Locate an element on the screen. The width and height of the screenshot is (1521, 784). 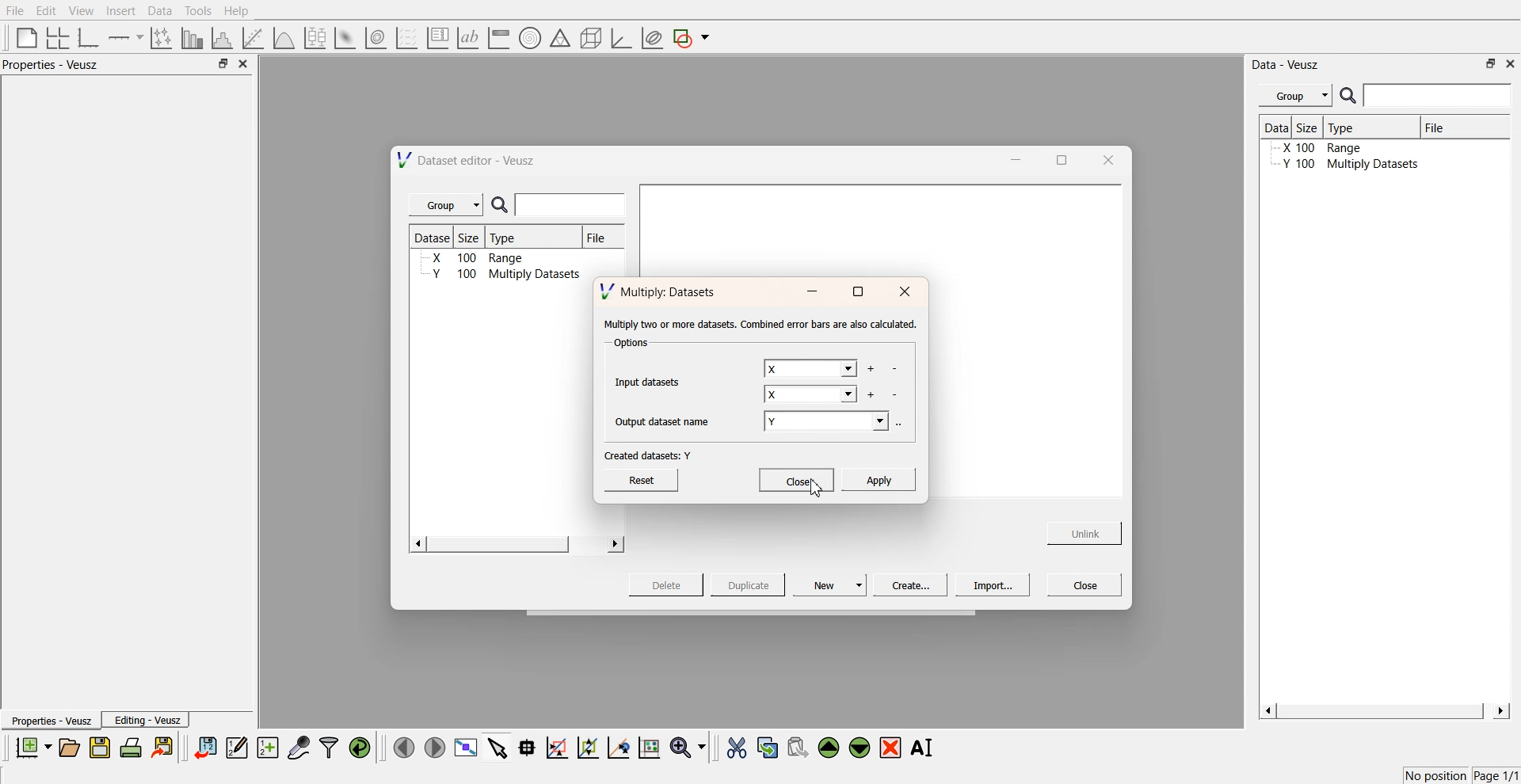
text label is located at coordinates (466, 38).